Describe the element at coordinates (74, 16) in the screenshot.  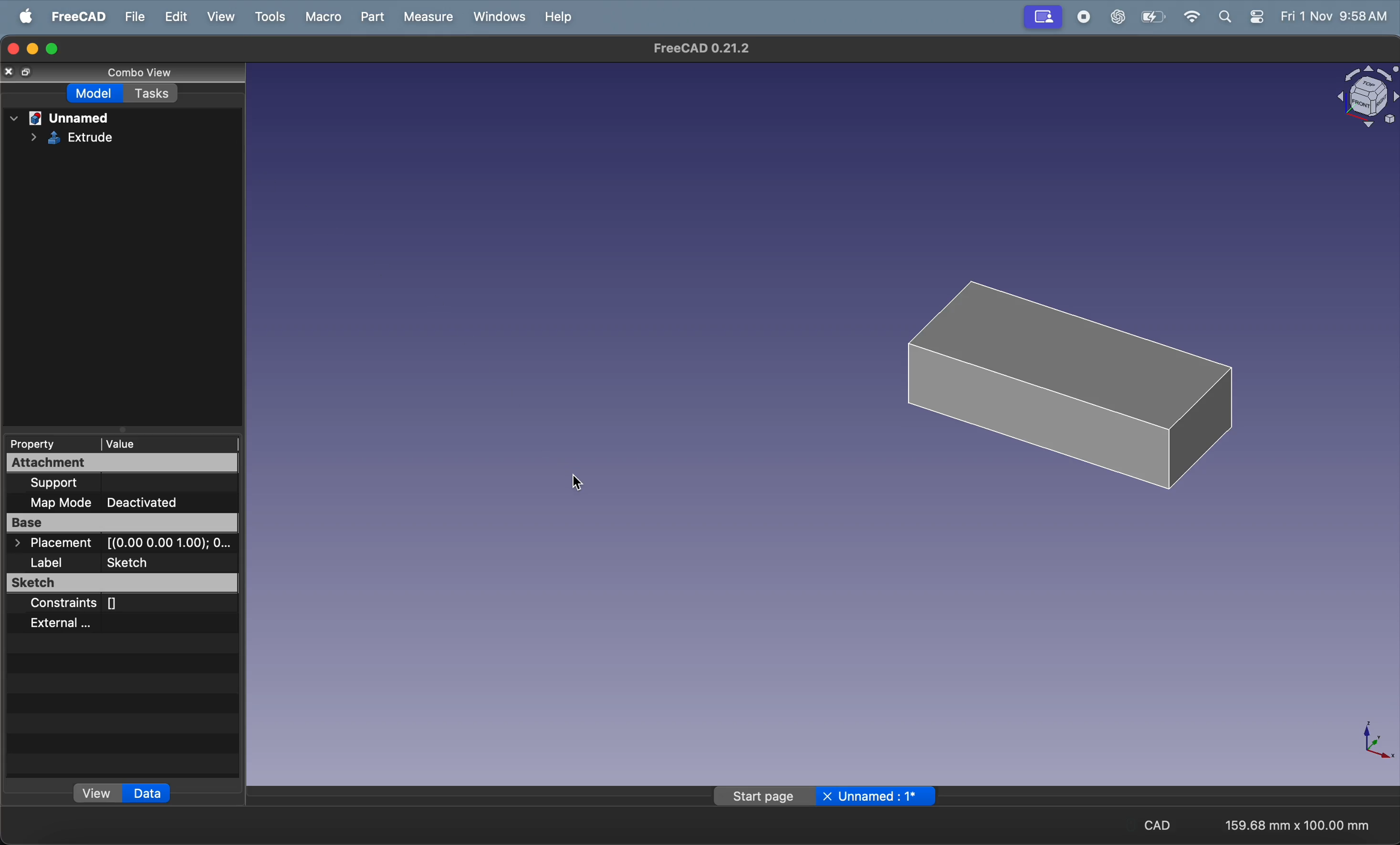
I see `freecad` at that location.